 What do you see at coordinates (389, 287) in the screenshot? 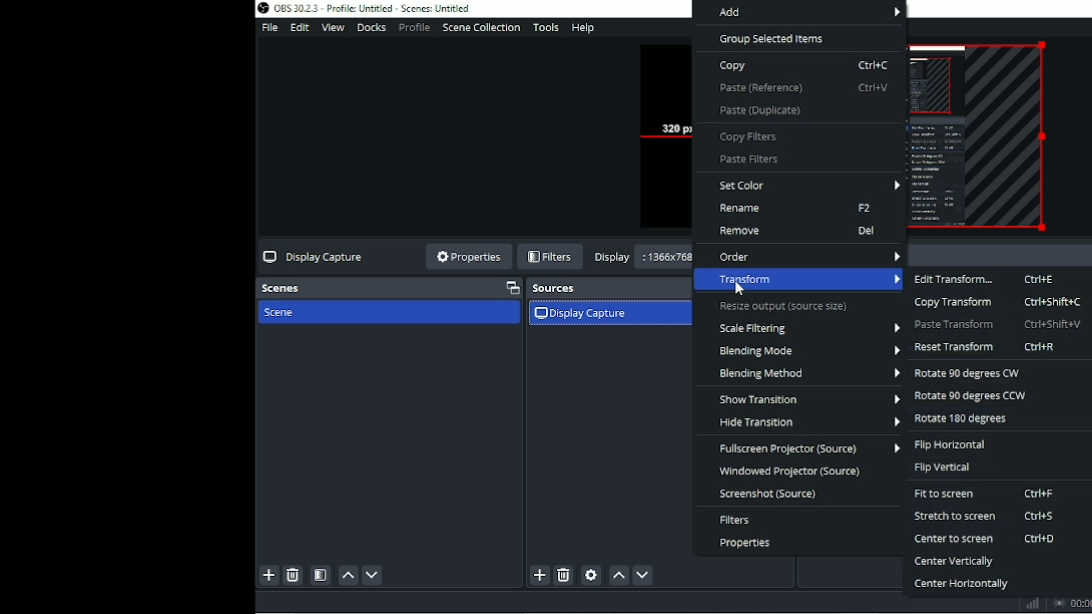
I see `Scenes` at bounding box center [389, 287].